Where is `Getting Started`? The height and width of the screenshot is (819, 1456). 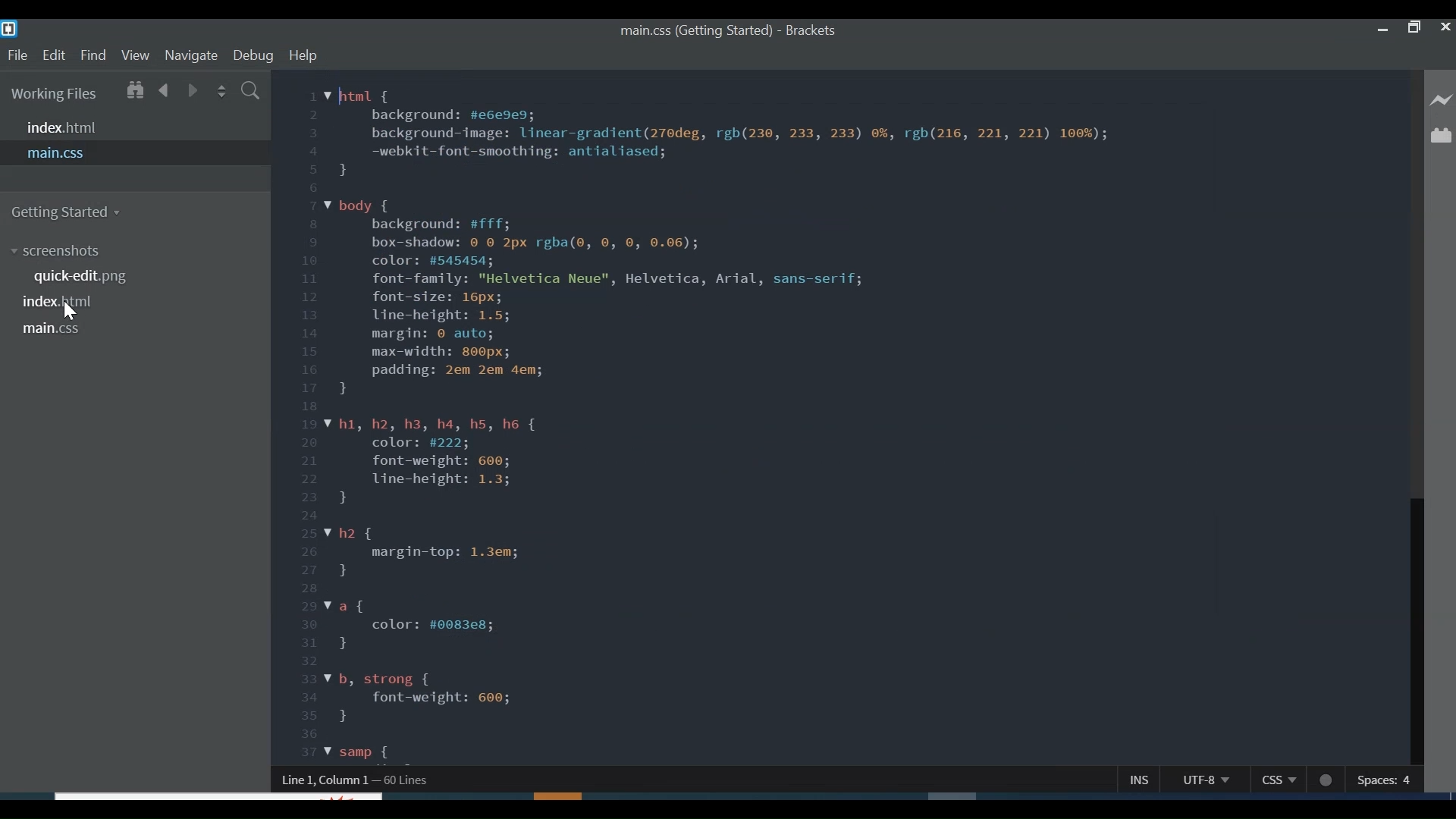
Getting Started is located at coordinates (74, 212).